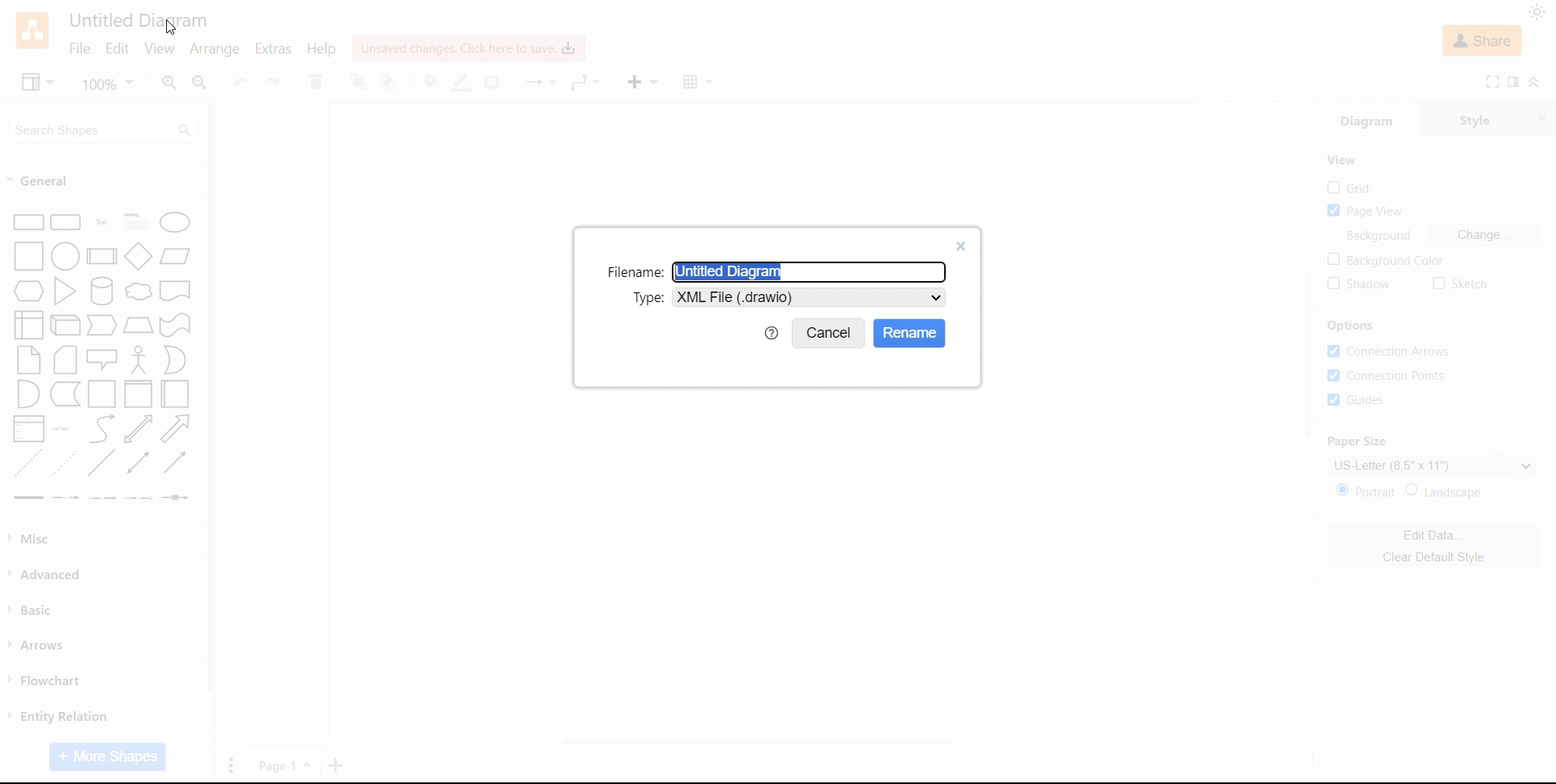  What do you see at coordinates (1515, 82) in the screenshot?
I see `Format ` at bounding box center [1515, 82].